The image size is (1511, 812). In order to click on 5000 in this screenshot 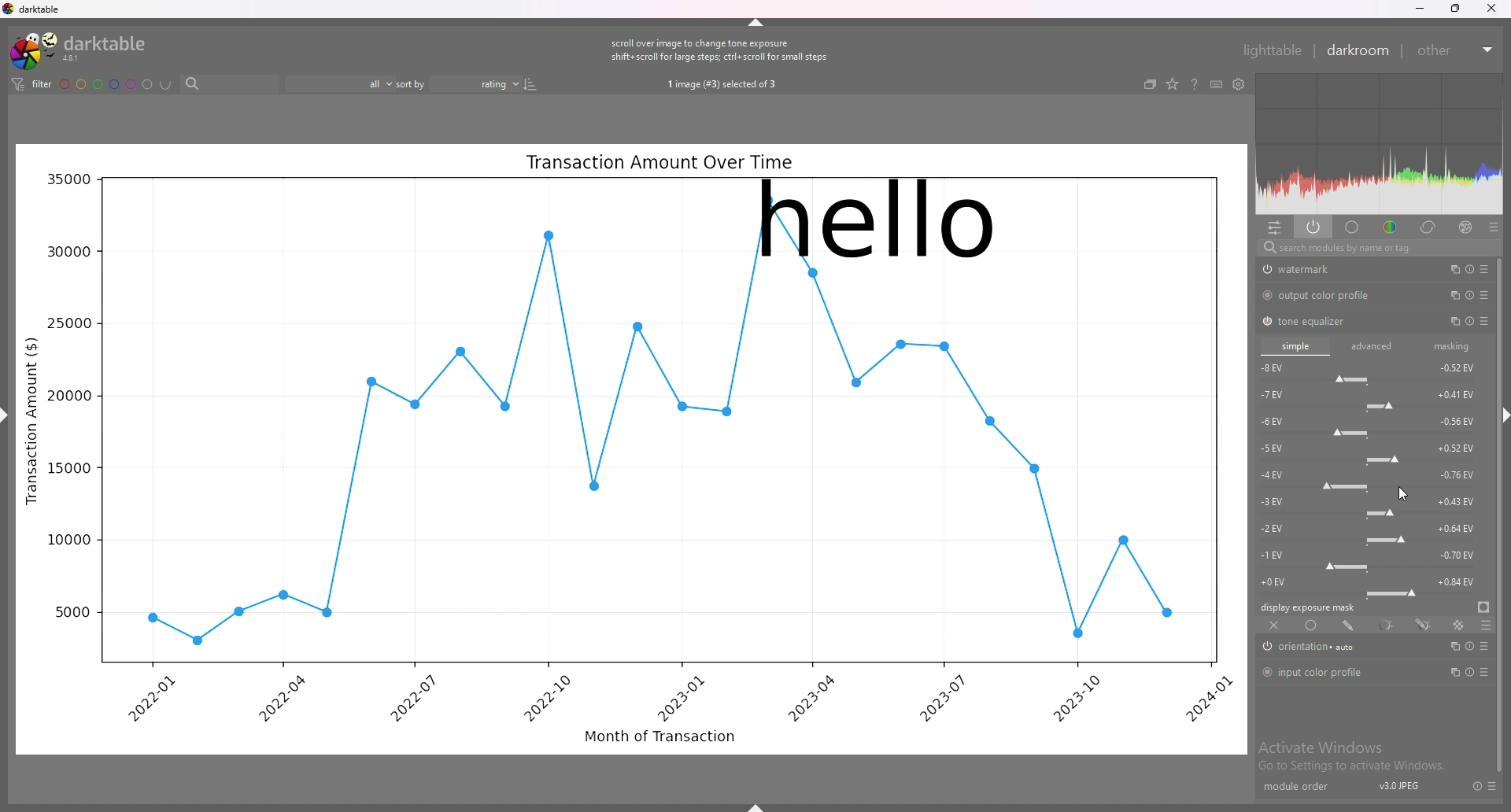, I will do `click(71, 611)`.